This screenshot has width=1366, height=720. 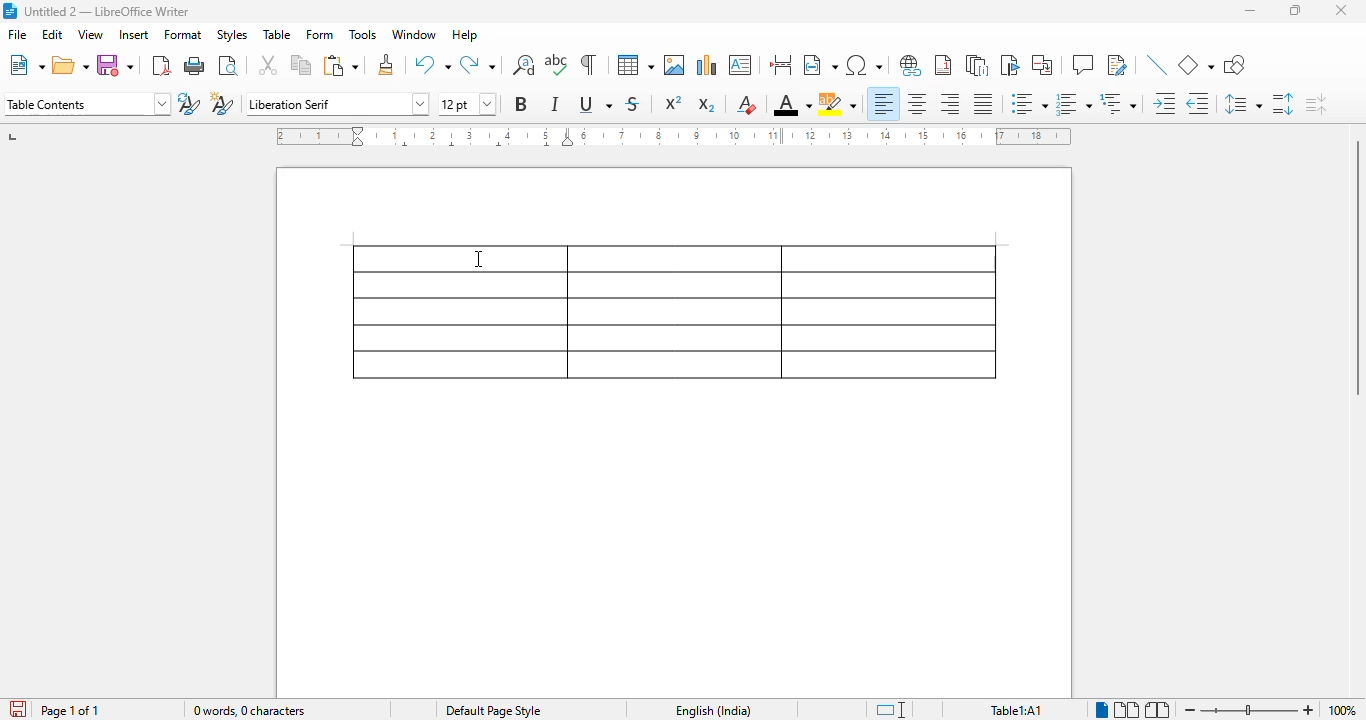 I want to click on format, so click(x=184, y=34).